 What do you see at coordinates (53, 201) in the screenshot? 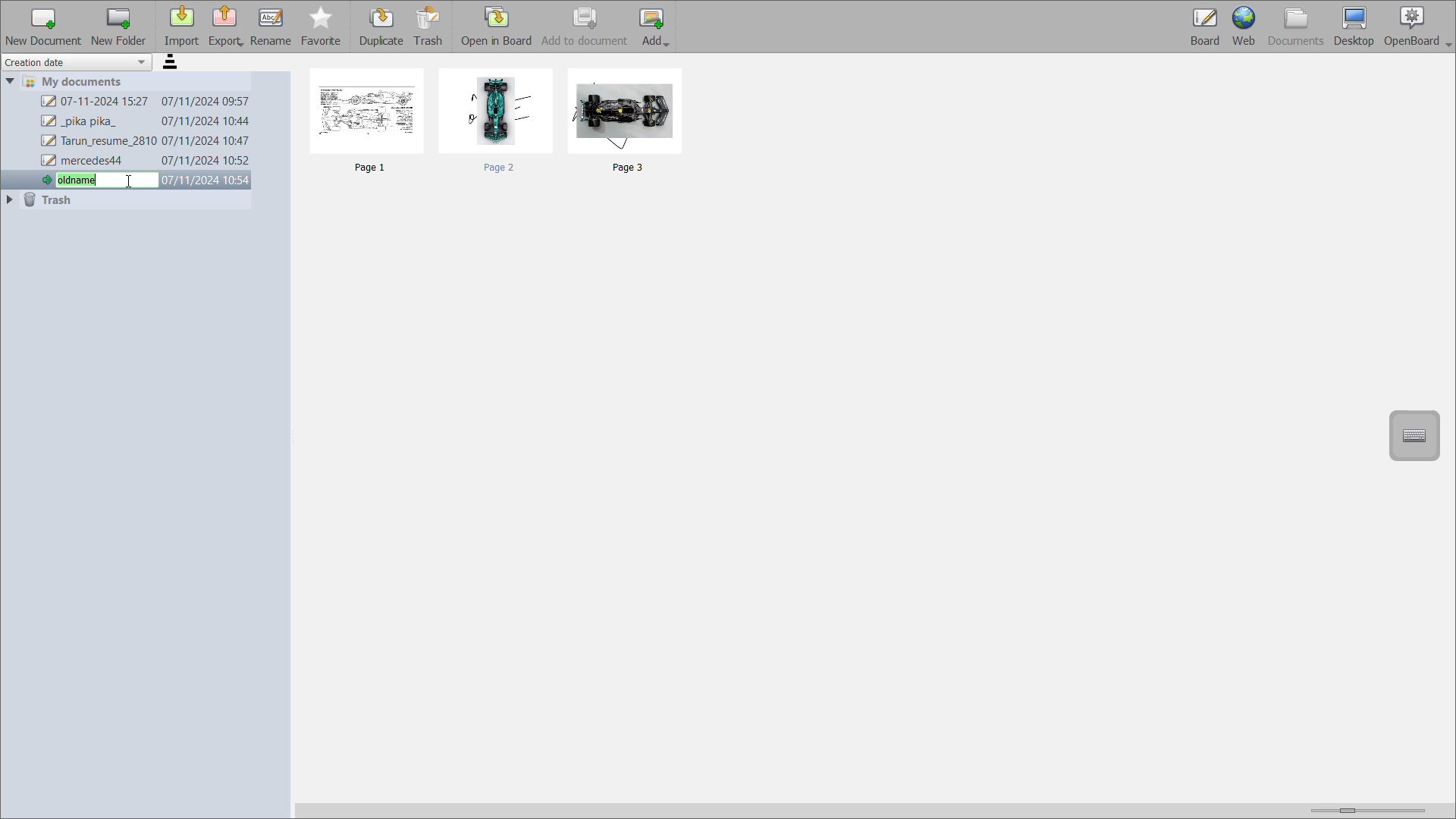
I see `trash` at bounding box center [53, 201].